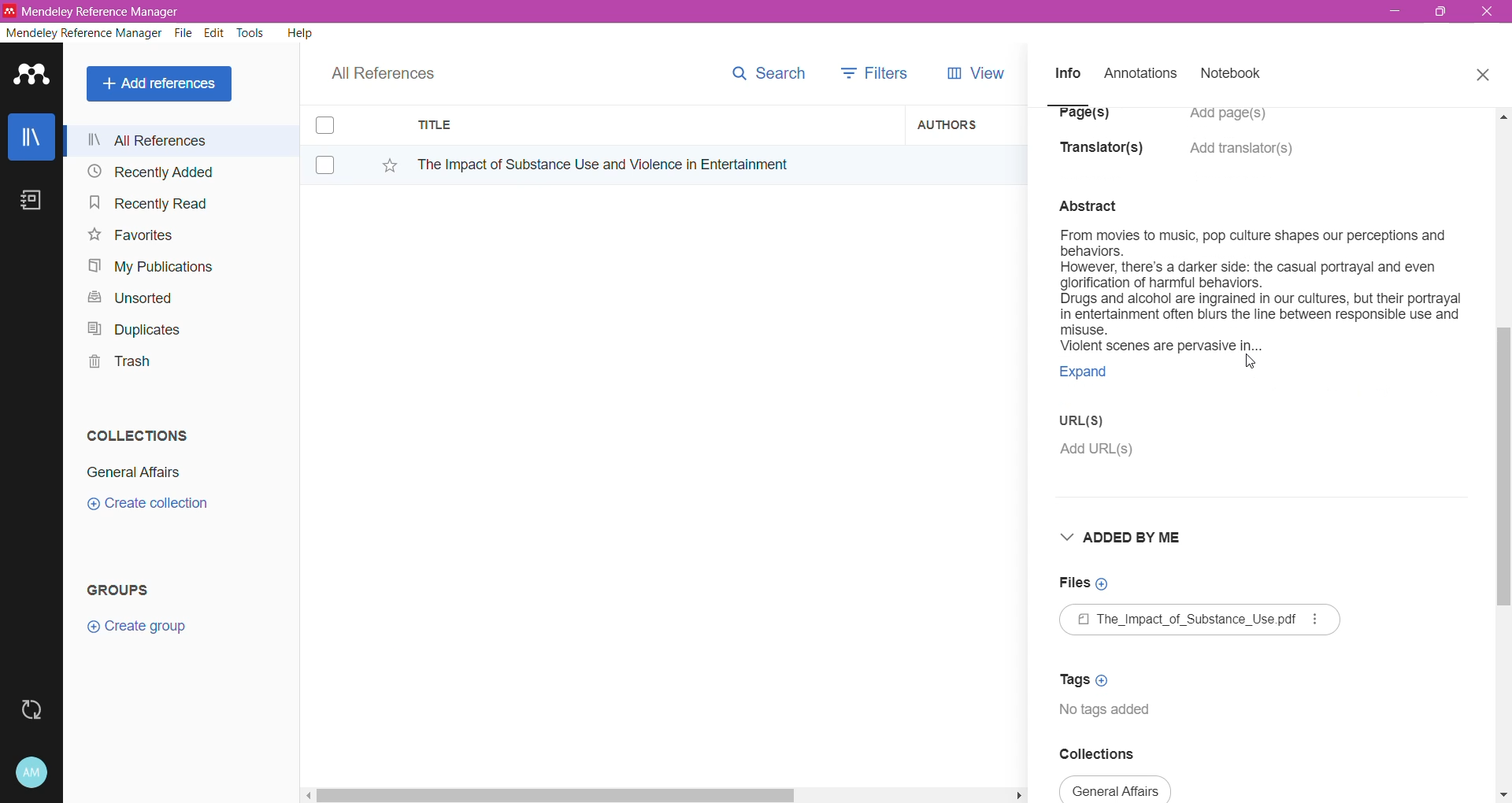  Describe the element at coordinates (133, 432) in the screenshot. I see `Collections` at that location.